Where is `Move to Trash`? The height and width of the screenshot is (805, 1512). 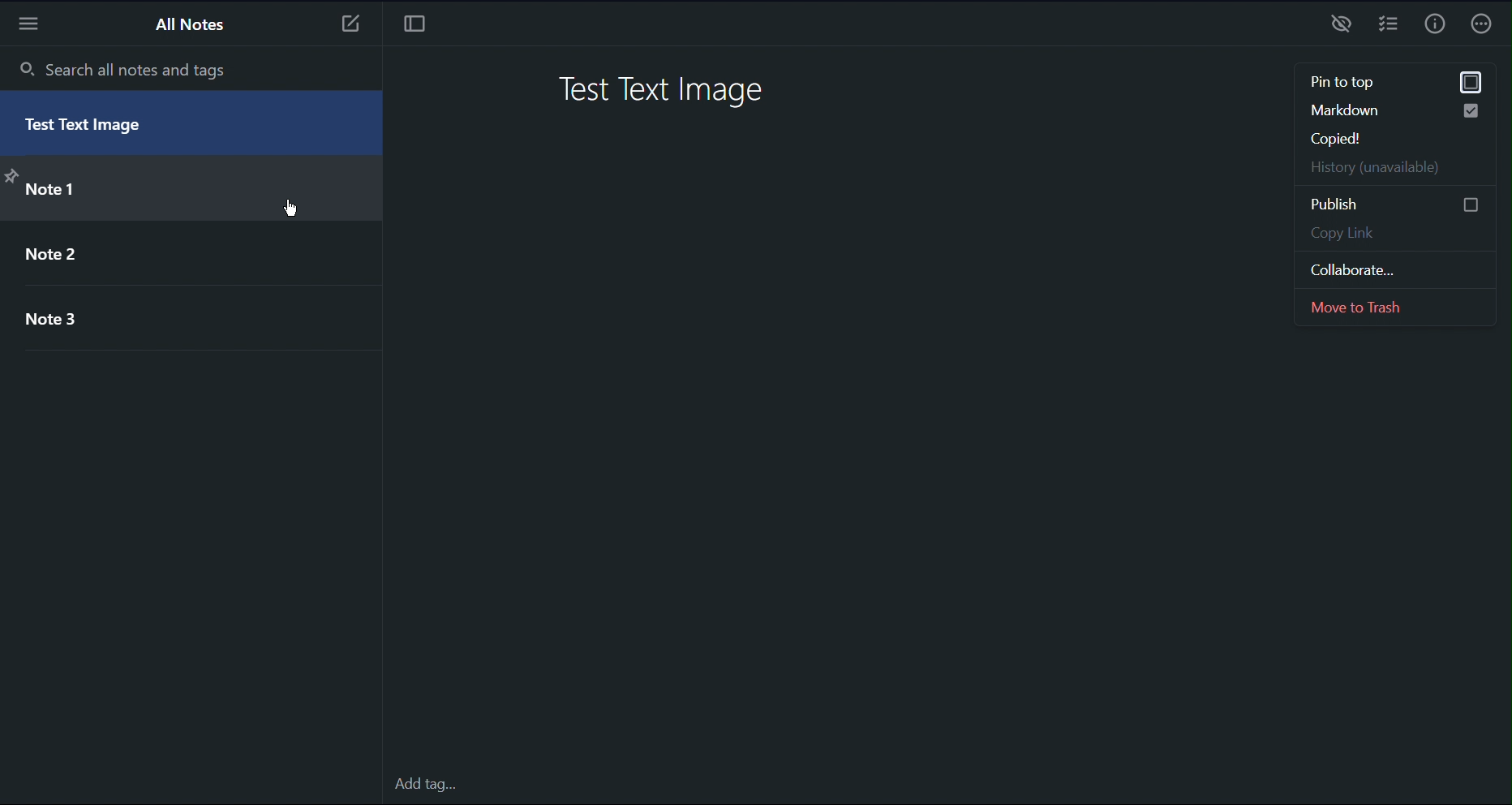
Move to Trash is located at coordinates (1394, 309).